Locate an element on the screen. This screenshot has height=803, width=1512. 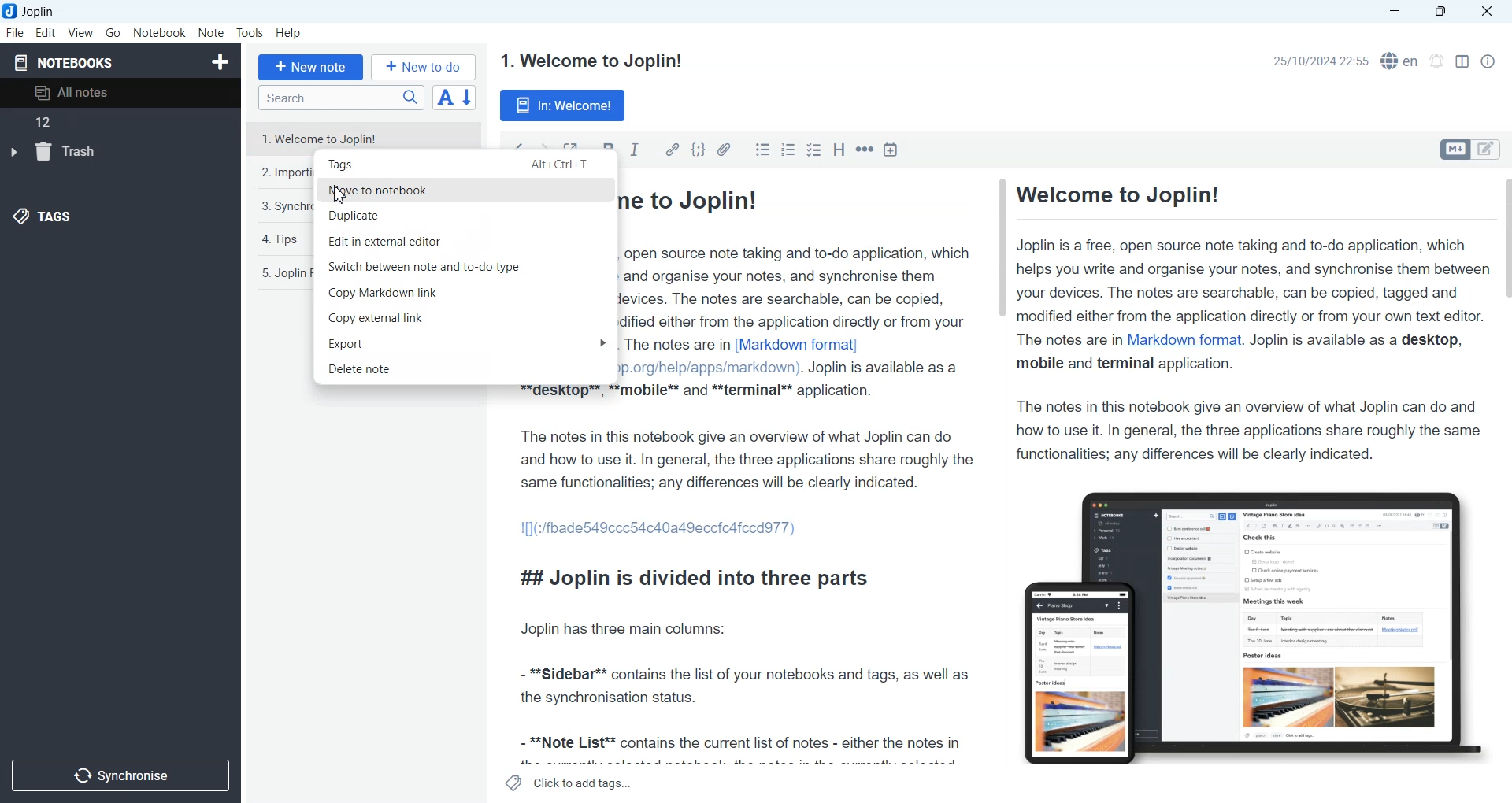
Joplin is located at coordinates (34, 11).